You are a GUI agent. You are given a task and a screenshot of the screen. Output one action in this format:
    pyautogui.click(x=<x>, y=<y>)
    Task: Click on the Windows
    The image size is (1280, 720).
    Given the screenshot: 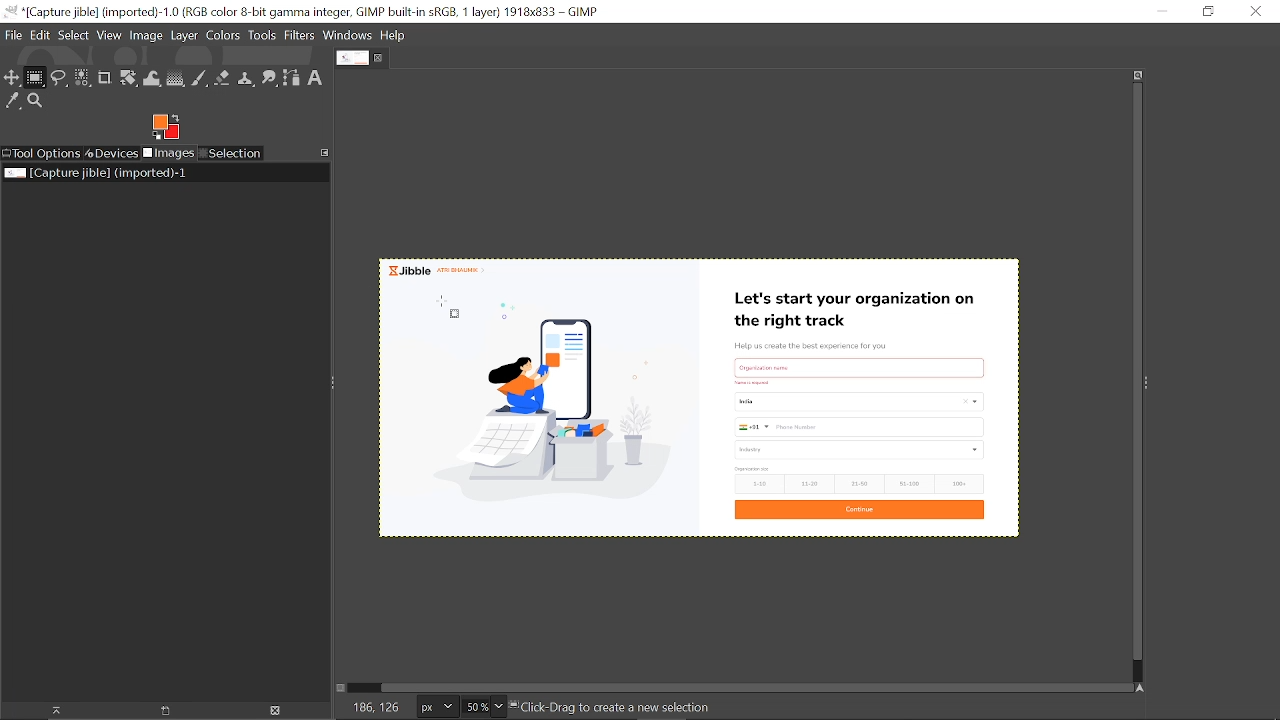 What is the action you would take?
    pyautogui.click(x=347, y=36)
    